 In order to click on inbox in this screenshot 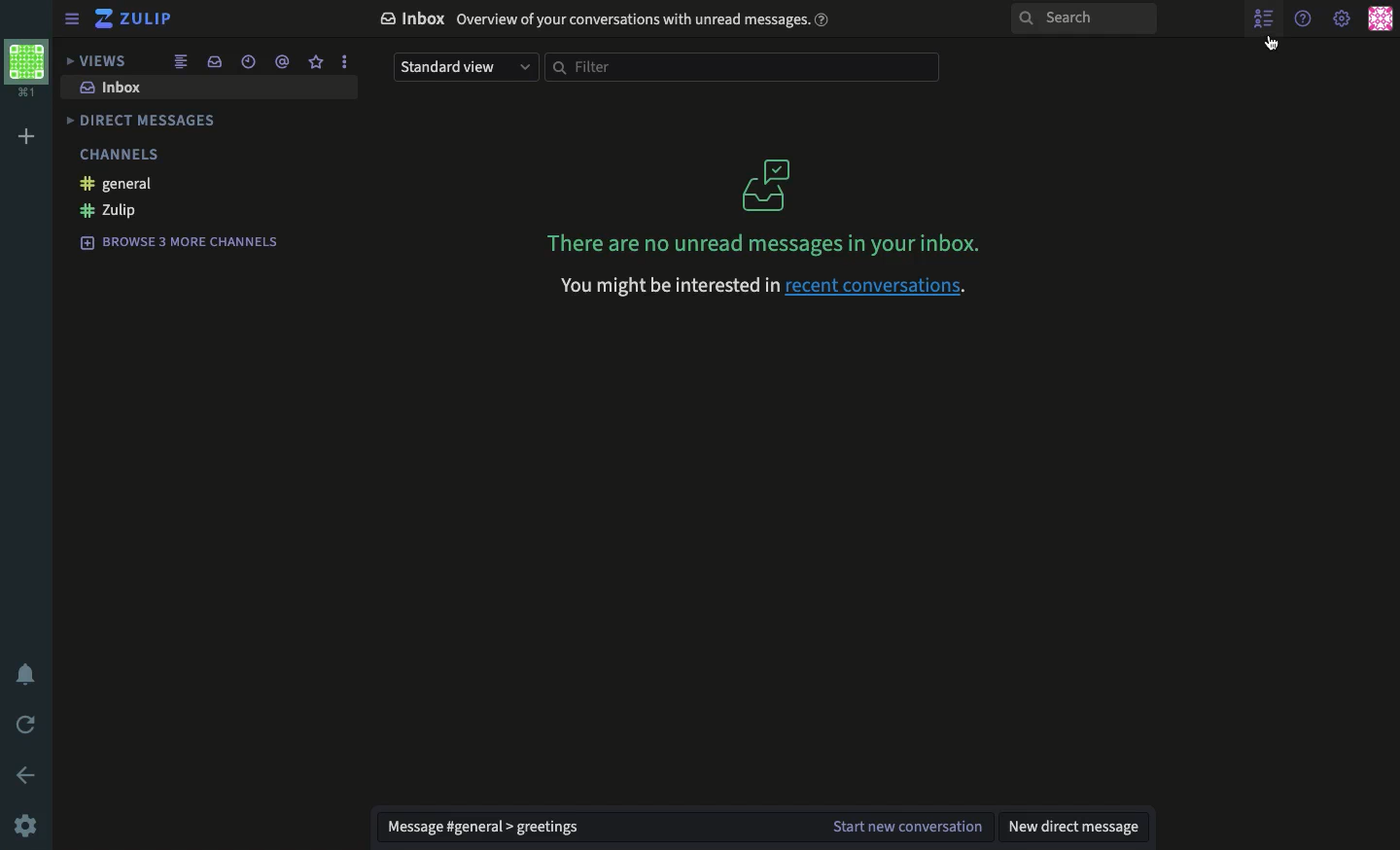, I will do `click(214, 61)`.